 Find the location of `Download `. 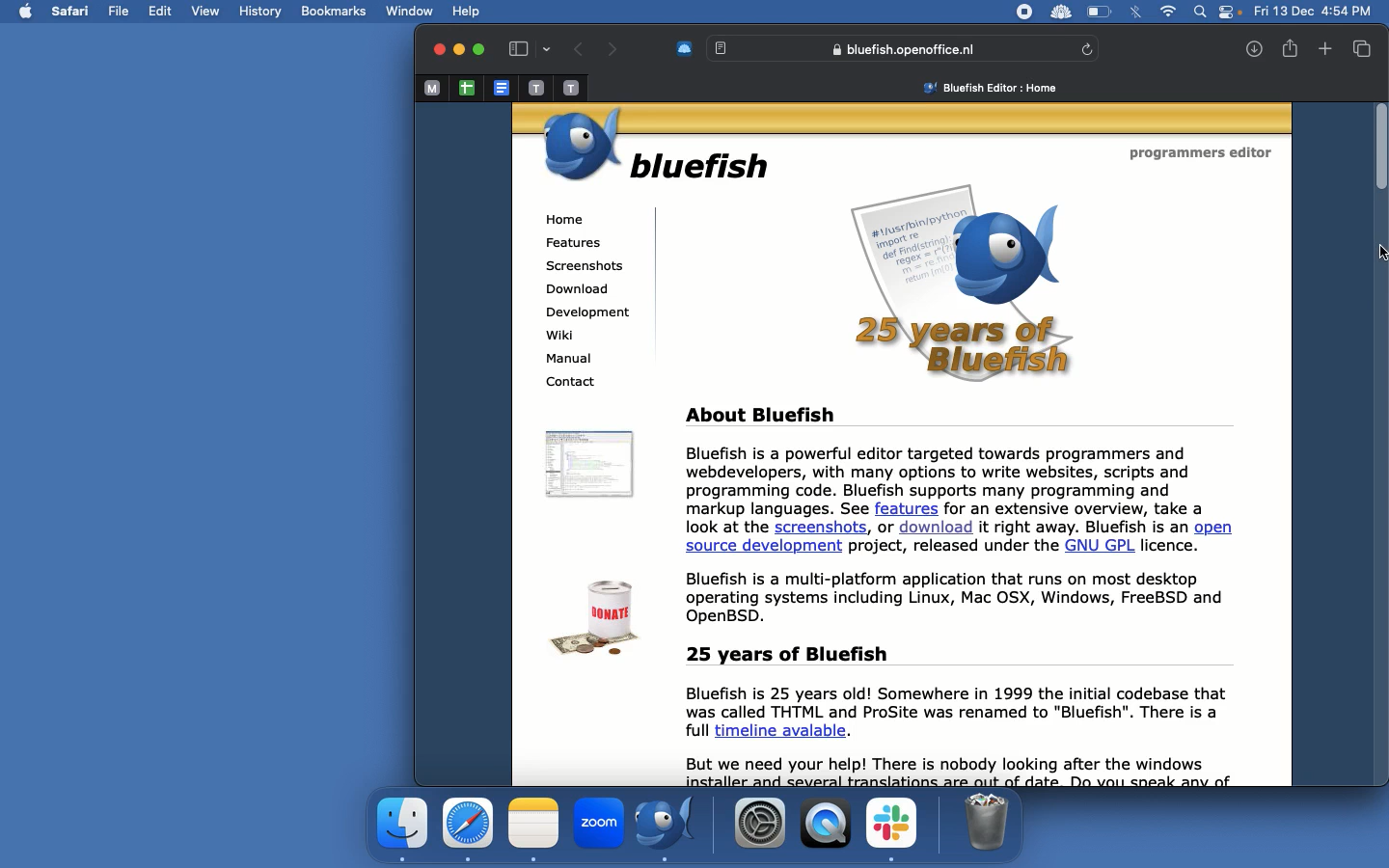

Download  is located at coordinates (565, 287).